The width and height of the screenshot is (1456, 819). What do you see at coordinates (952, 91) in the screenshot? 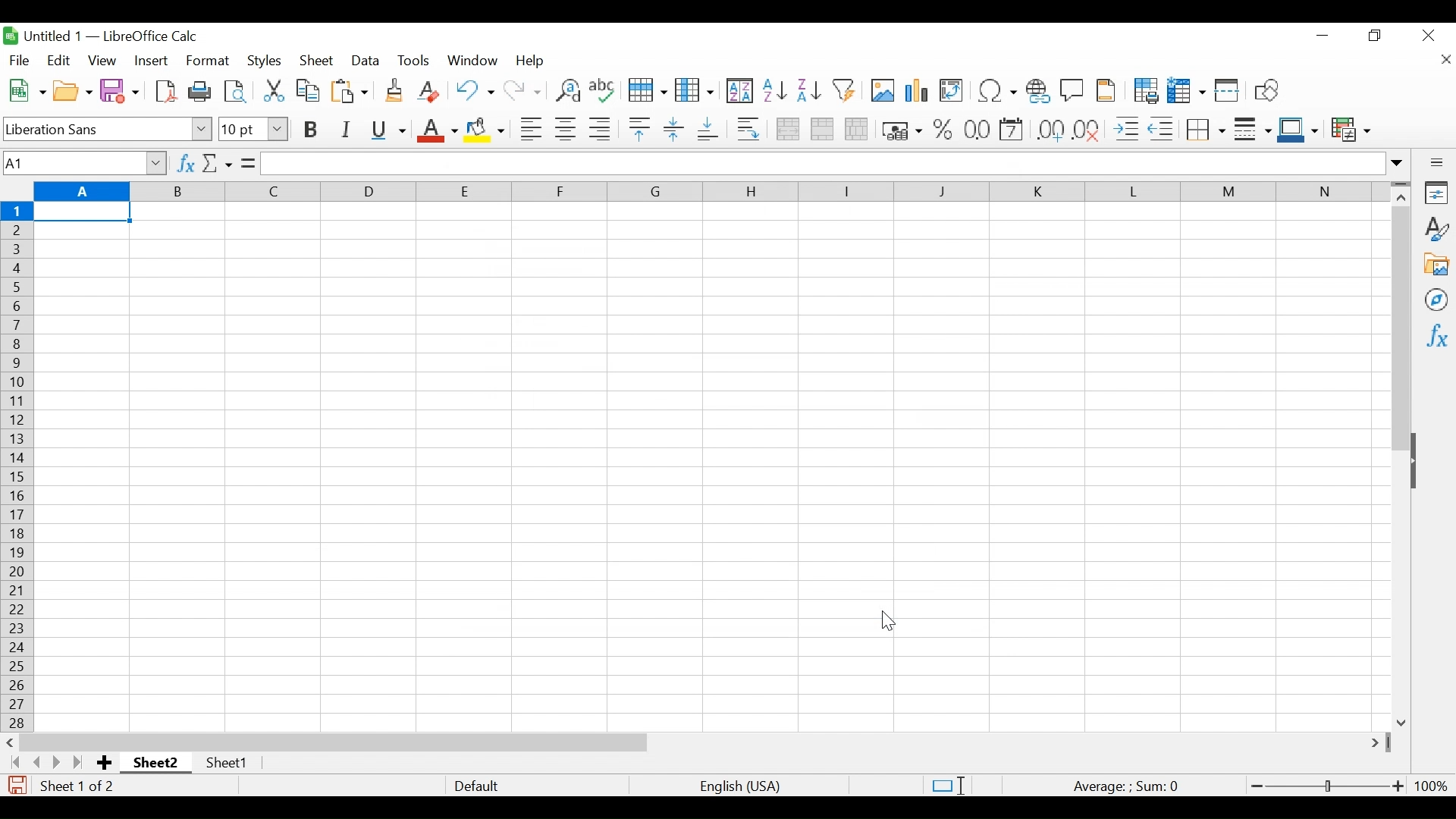
I see `Insert or Edit Pivot table` at bounding box center [952, 91].